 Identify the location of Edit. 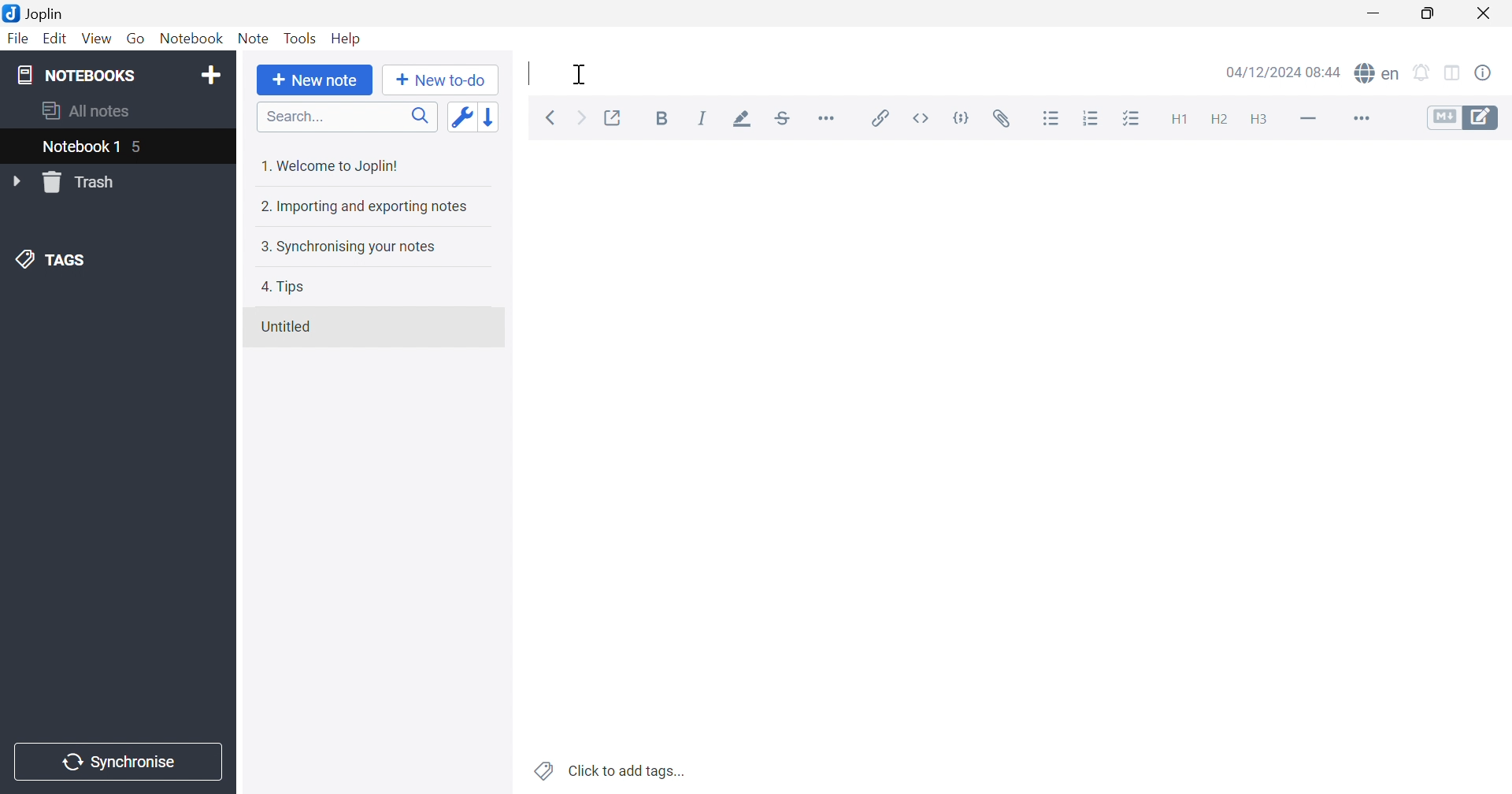
(58, 41).